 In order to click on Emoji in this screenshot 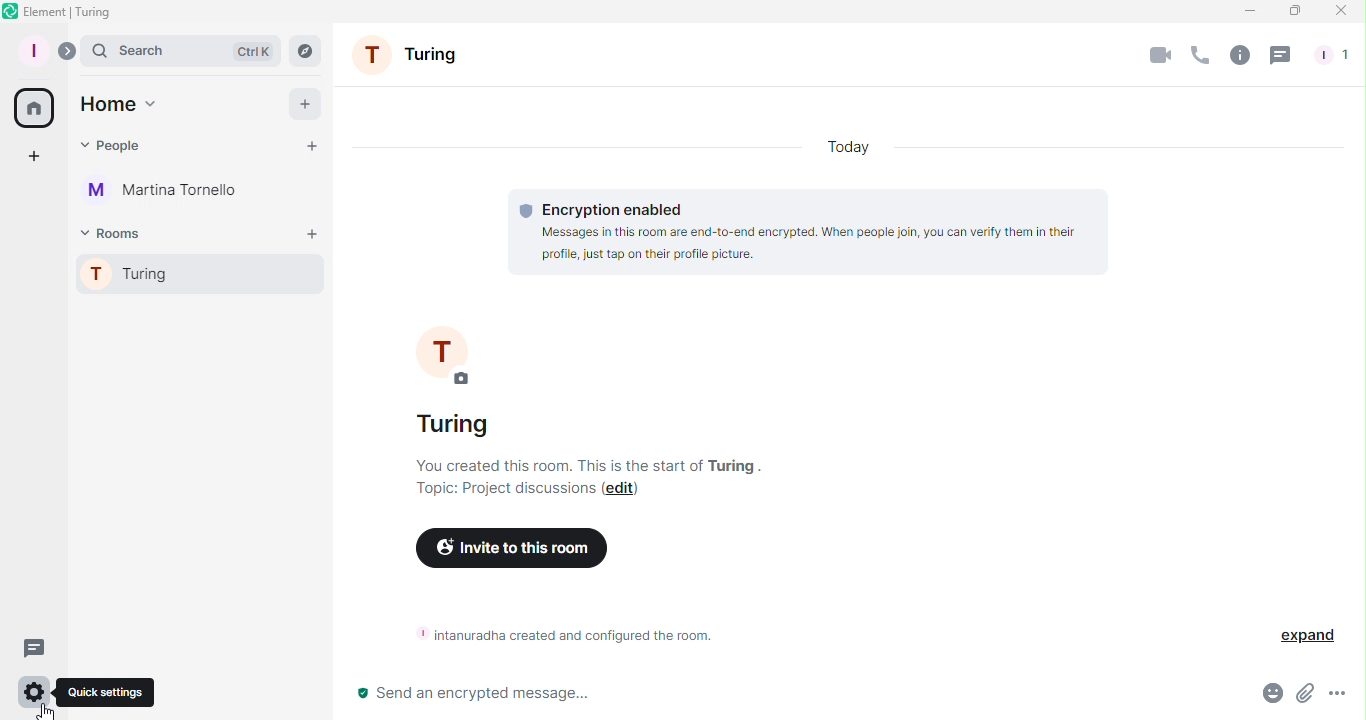, I will do `click(1268, 696)`.